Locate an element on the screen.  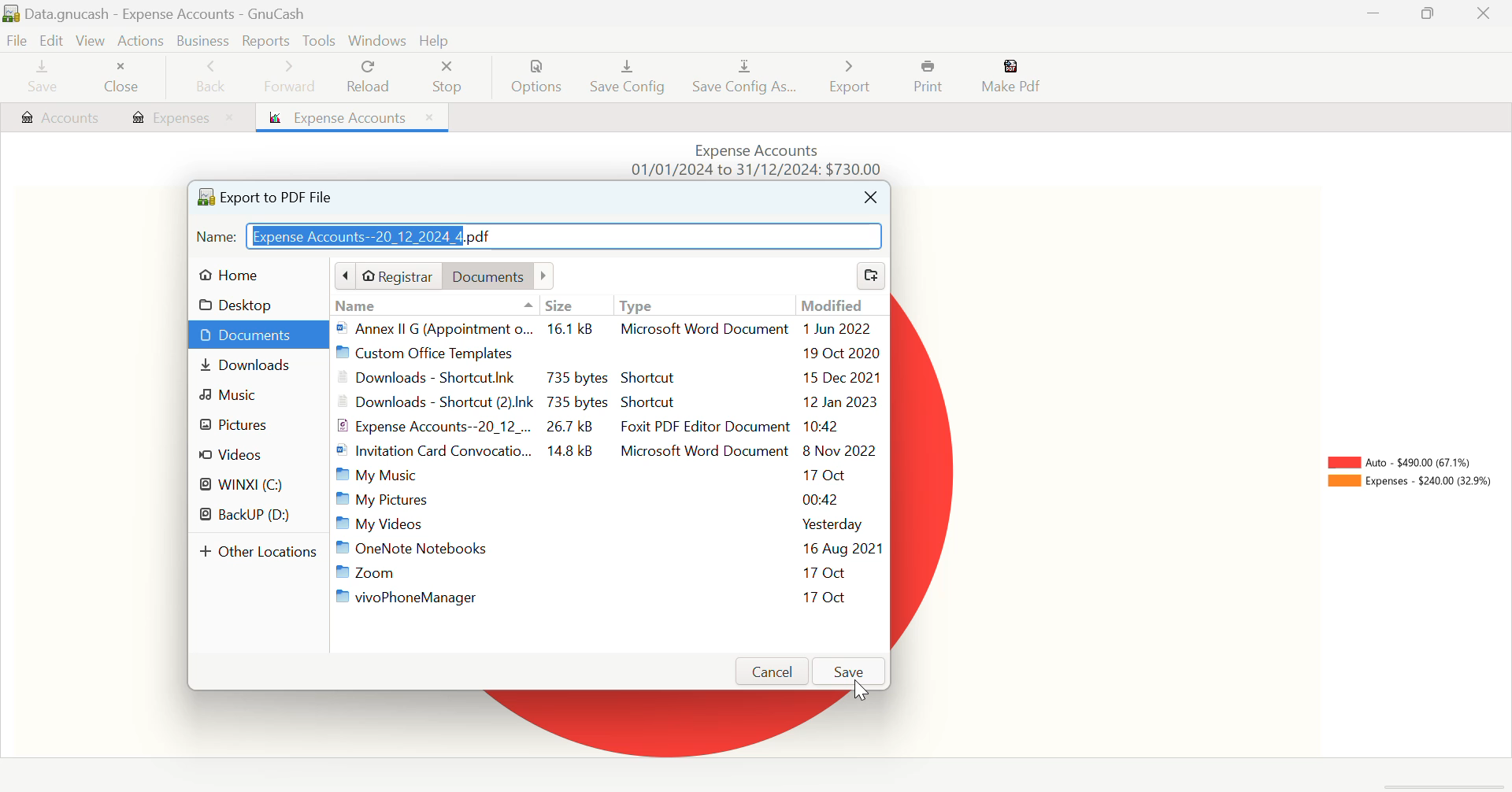
Reports is located at coordinates (265, 40).